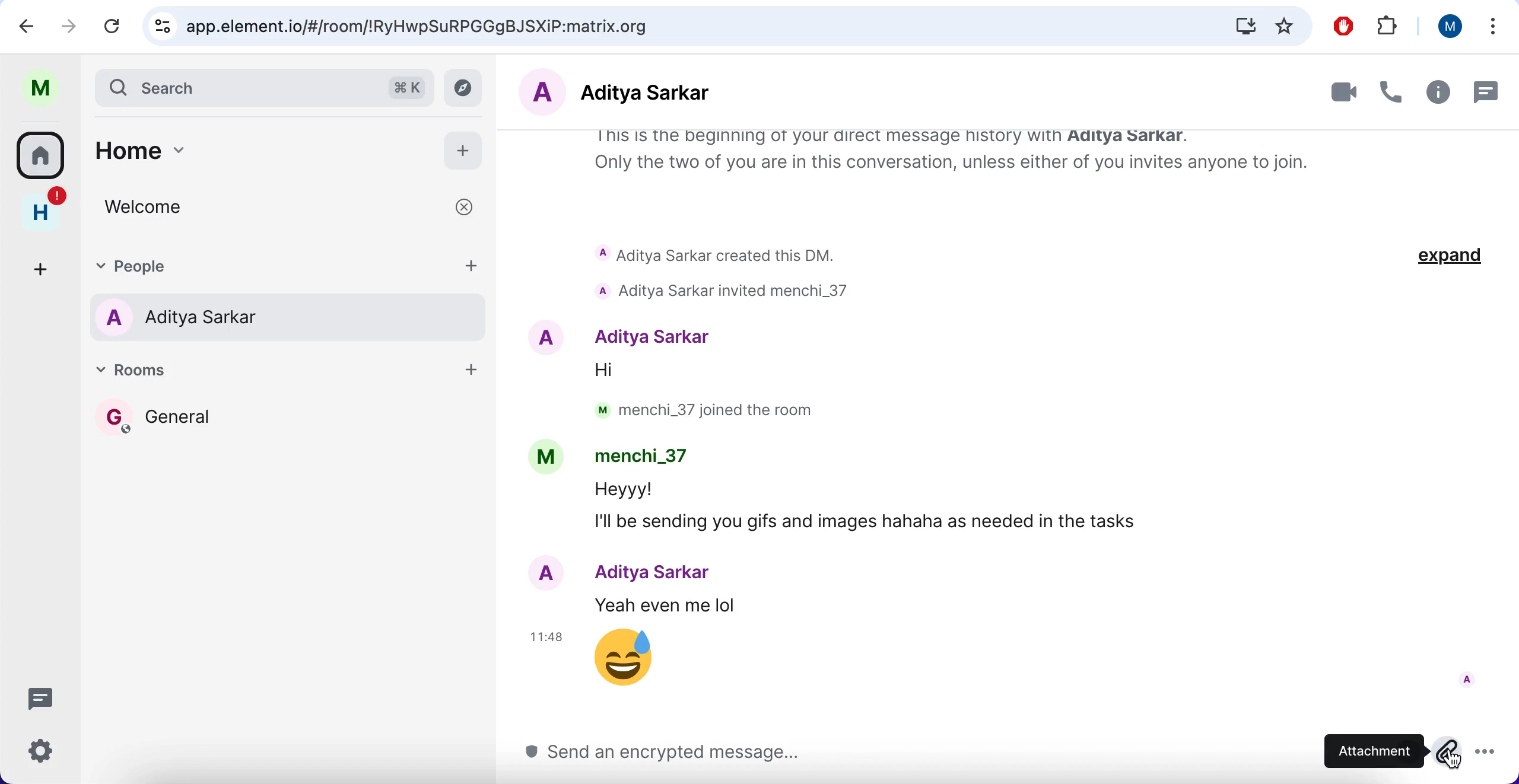  Describe the element at coordinates (434, 28) in the screenshot. I see `app.element.io/#/room/!RyHwpSuRPGGgBJSXiP:matrix.org` at that location.